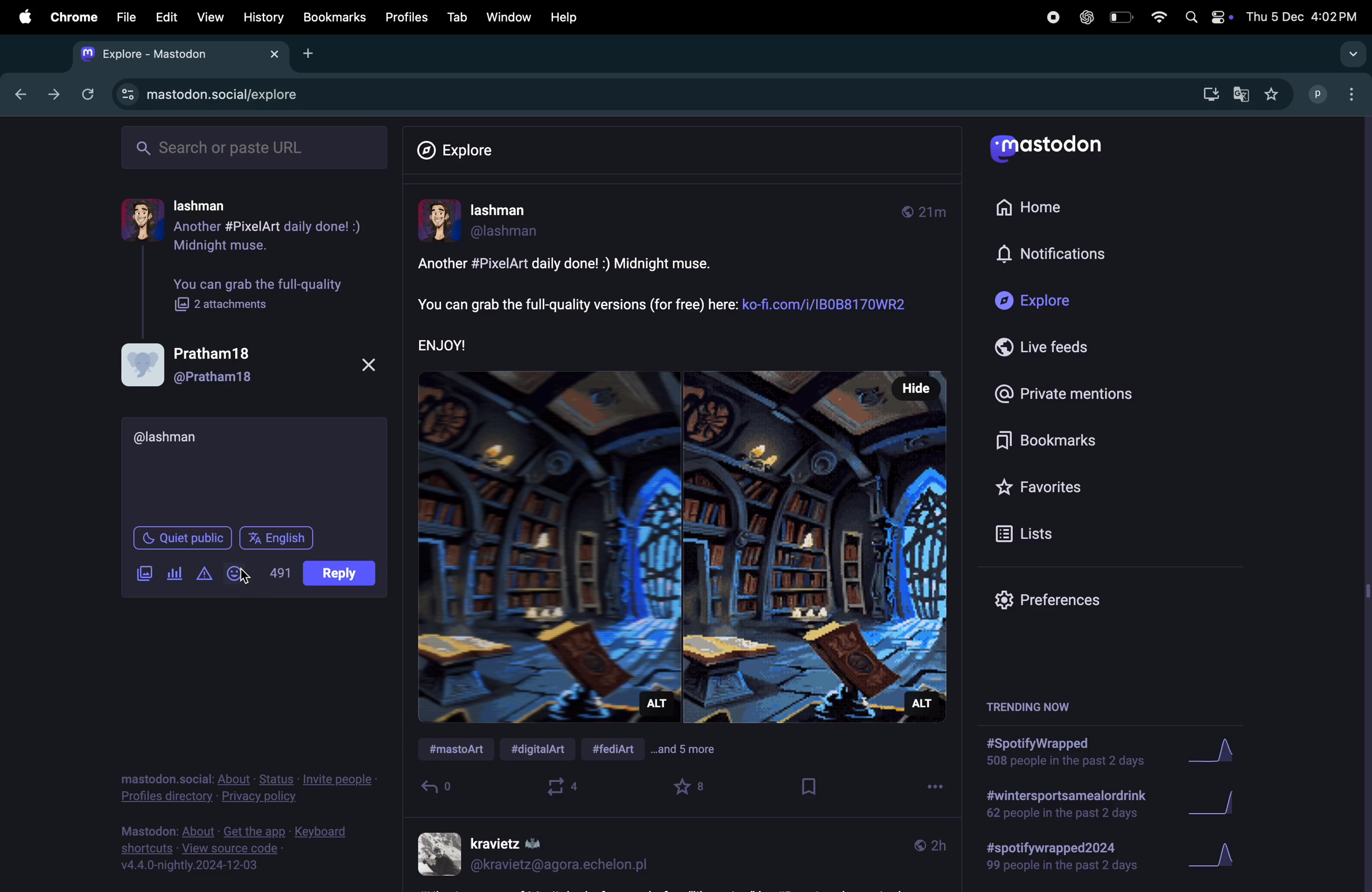 The image size is (1372, 892). I want to click on #mastdon, so click(458, 751).